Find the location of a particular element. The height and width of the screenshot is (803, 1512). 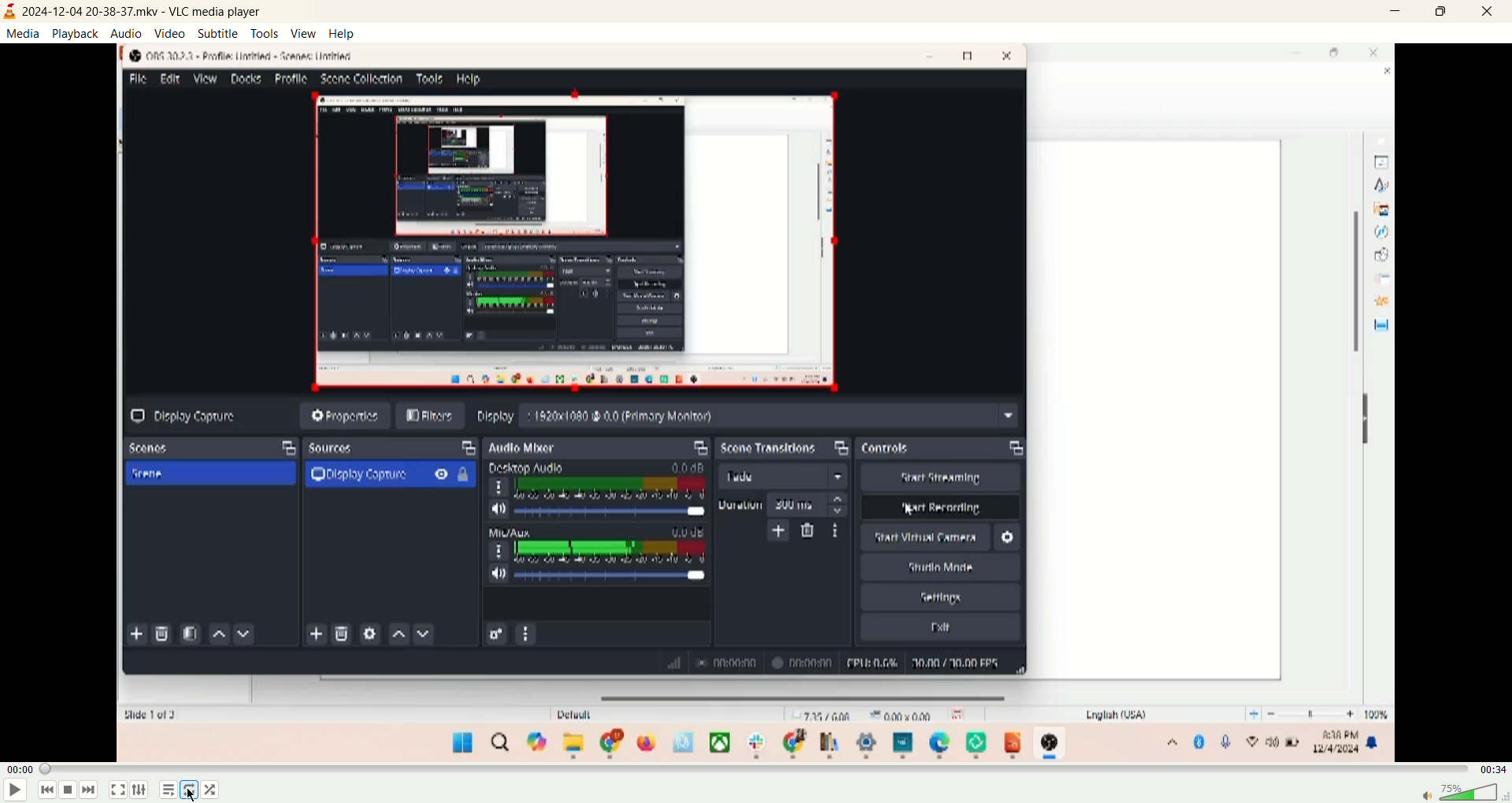

view is located at coordinates (306, 34).